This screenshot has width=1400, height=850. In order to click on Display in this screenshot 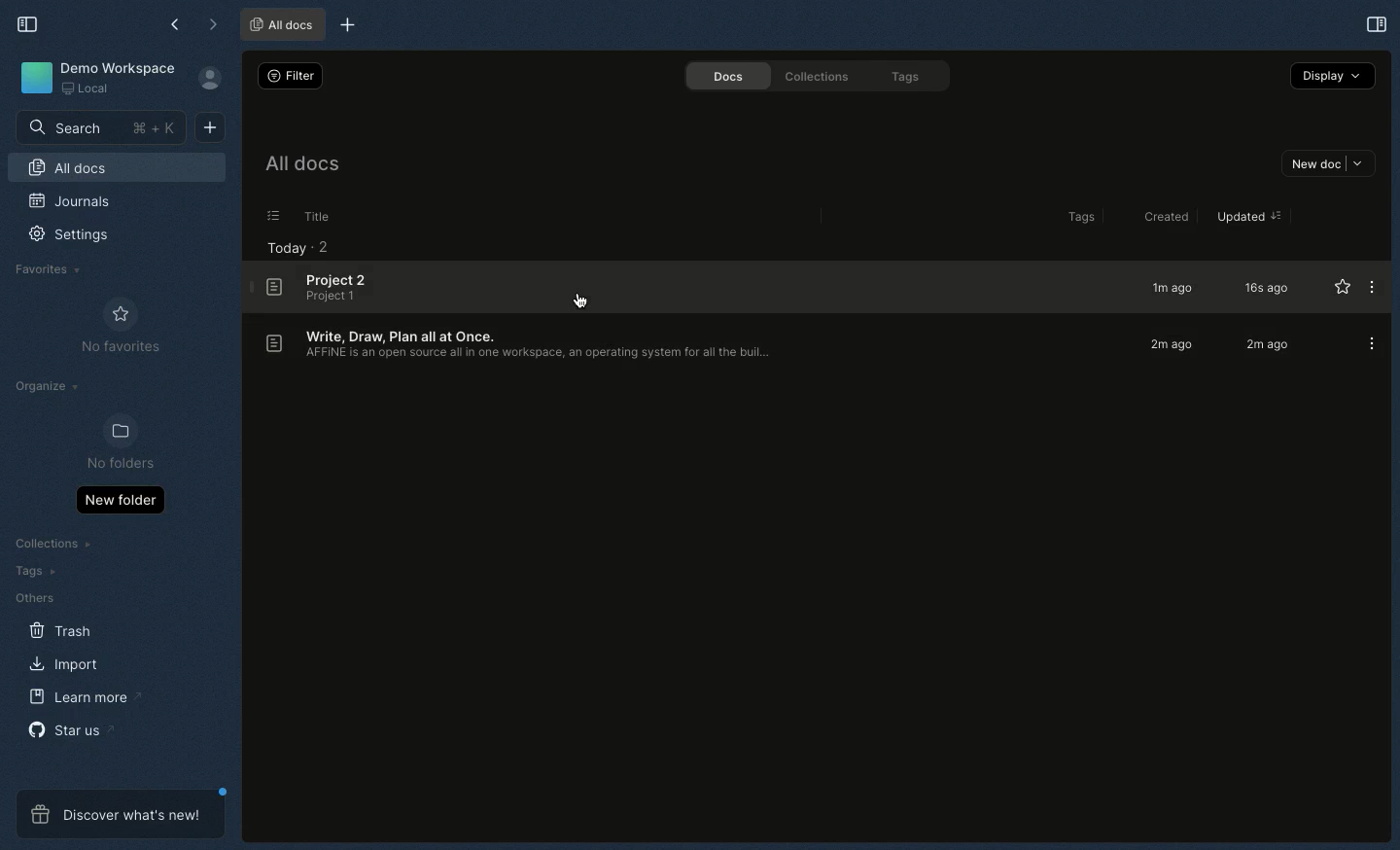, I will do `click(1332, 76)`.